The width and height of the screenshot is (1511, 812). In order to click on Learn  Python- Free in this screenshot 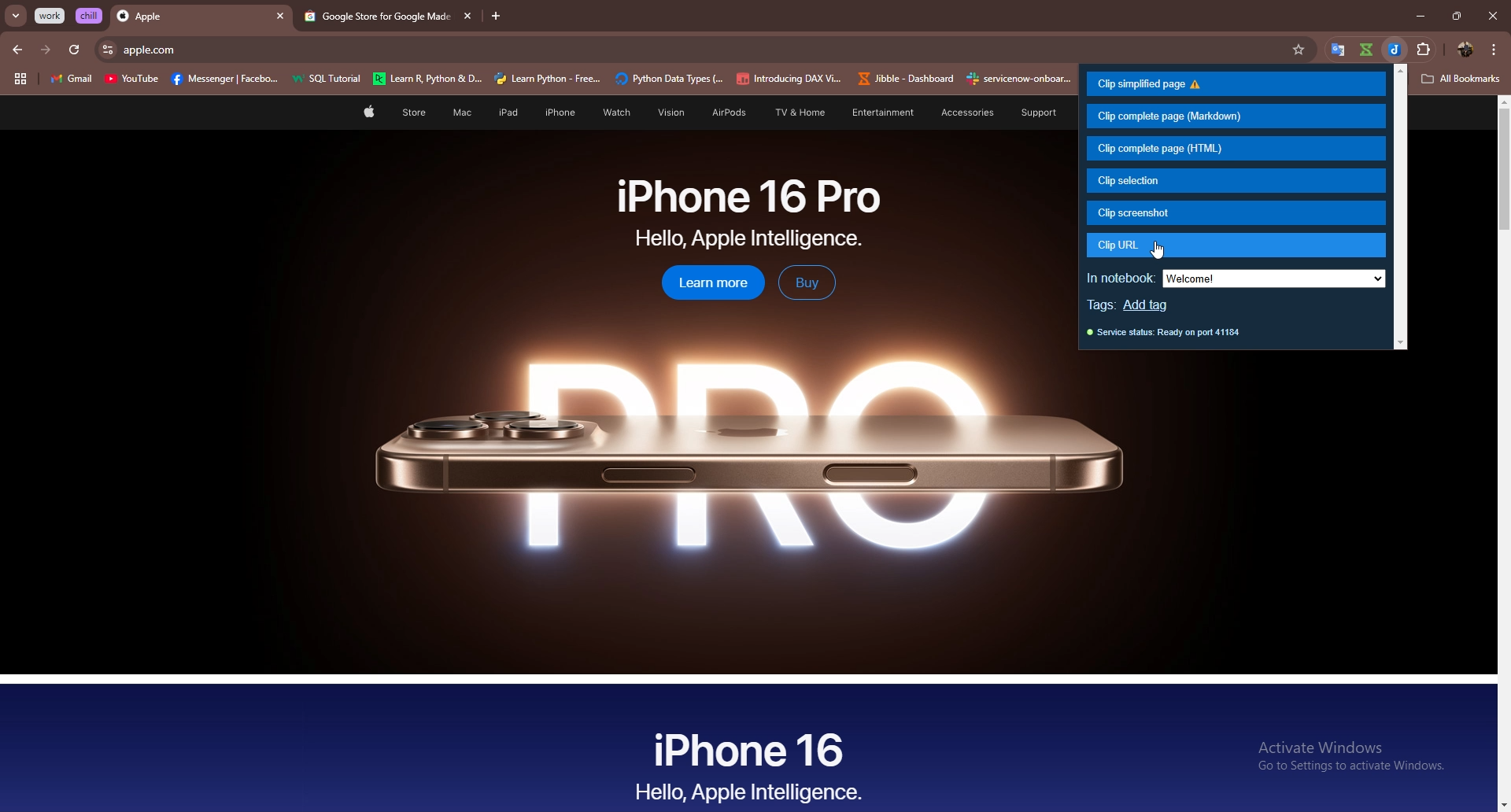, I will do `click(549, 79)`.